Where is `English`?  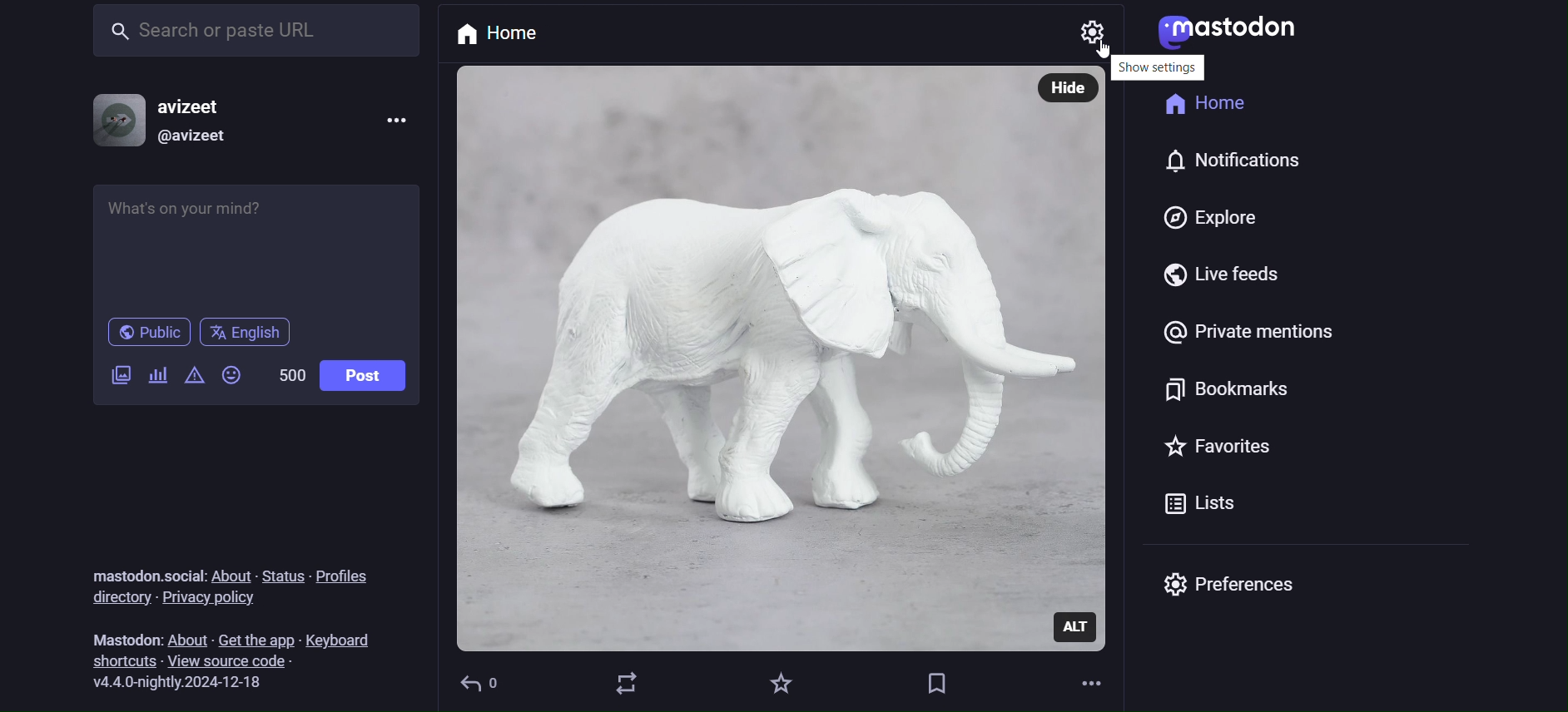
English is located at coordinates (249, 333).